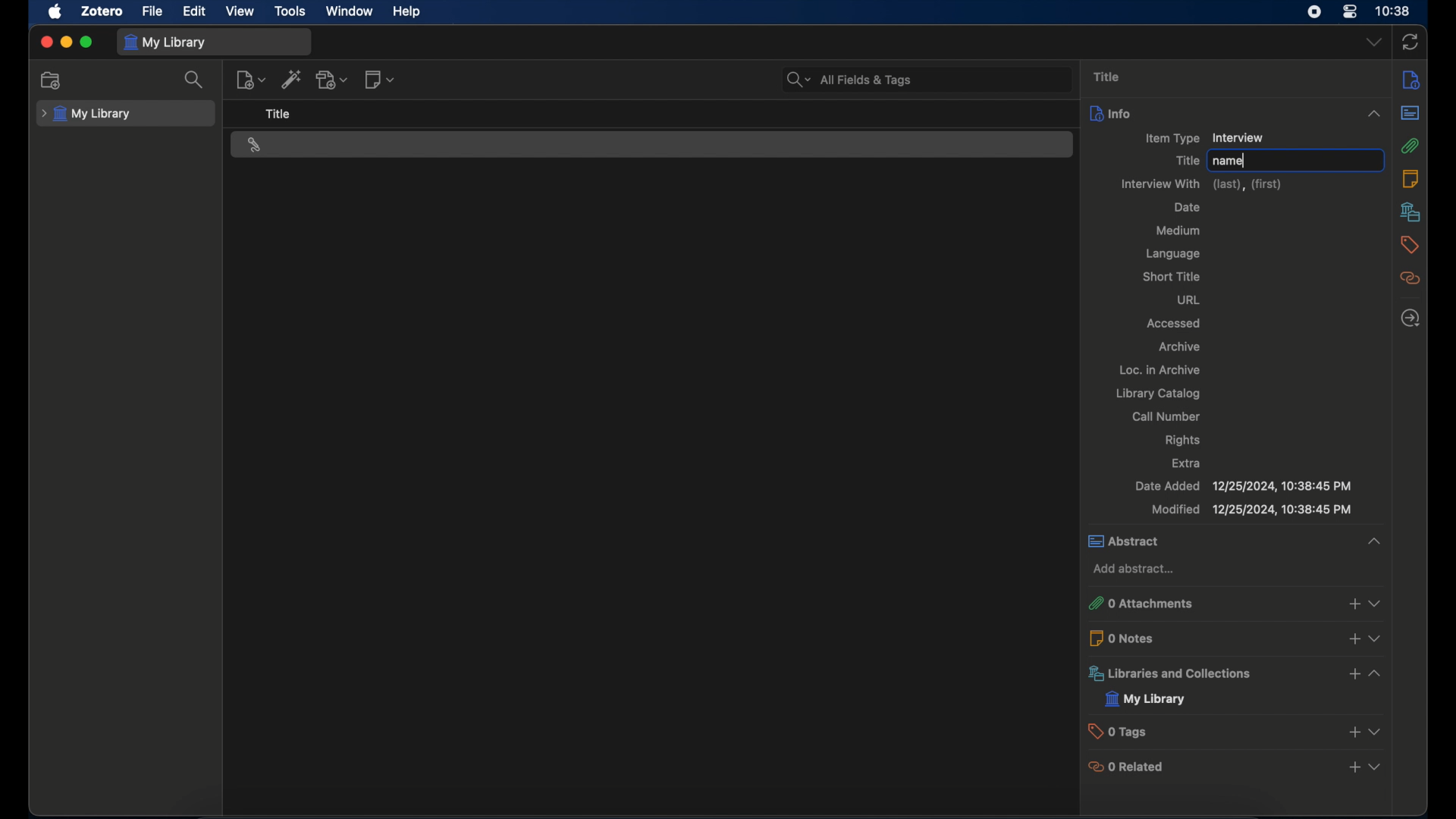 This screenshot has width=1456, height=819. I want to click on add, so click(1354, 641).